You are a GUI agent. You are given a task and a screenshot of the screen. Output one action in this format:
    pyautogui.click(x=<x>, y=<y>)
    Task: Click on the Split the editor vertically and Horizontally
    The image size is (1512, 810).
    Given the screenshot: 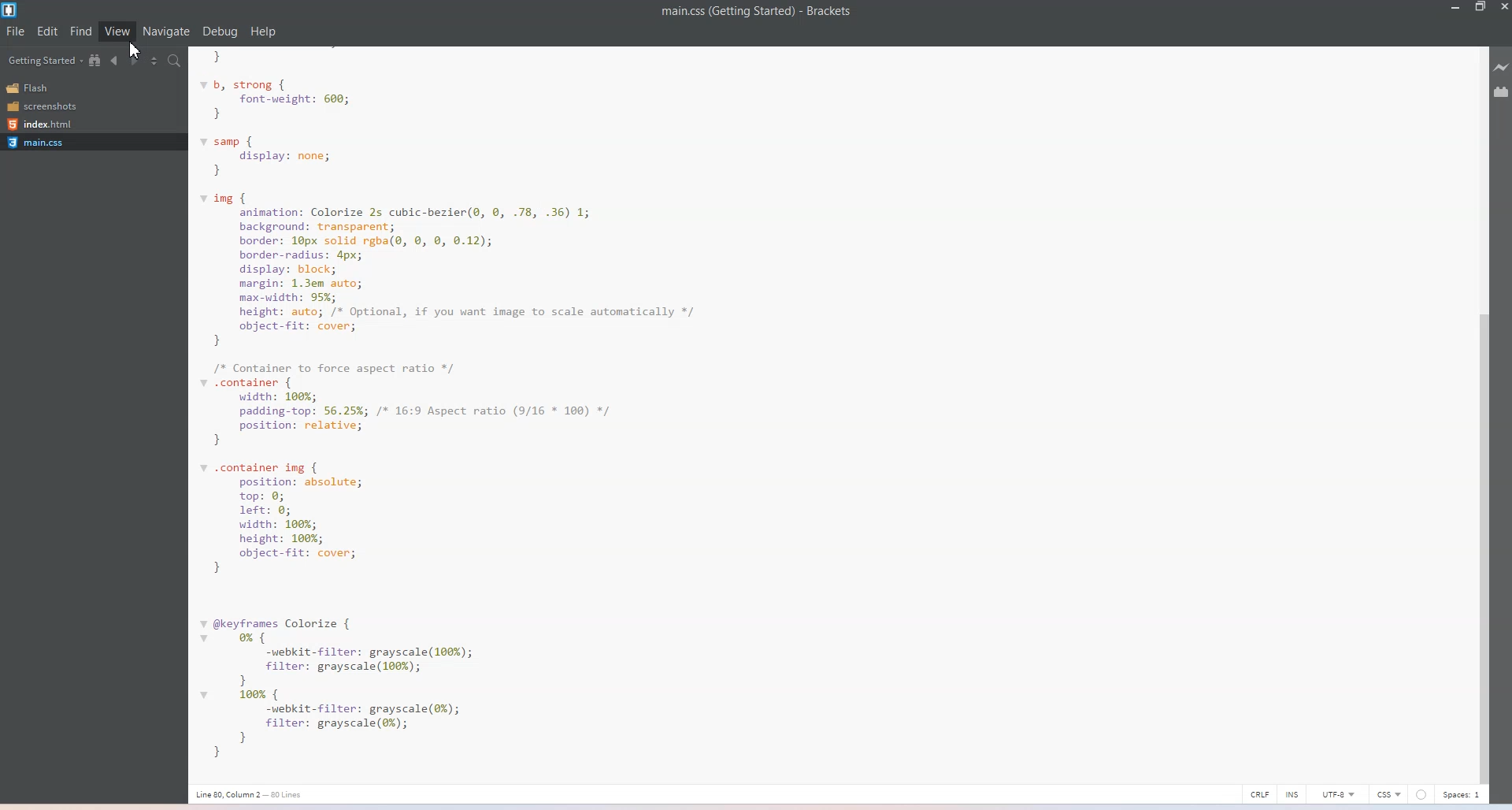 What is the action you would take?
    pyautogui.click(x=156, y=61)
    